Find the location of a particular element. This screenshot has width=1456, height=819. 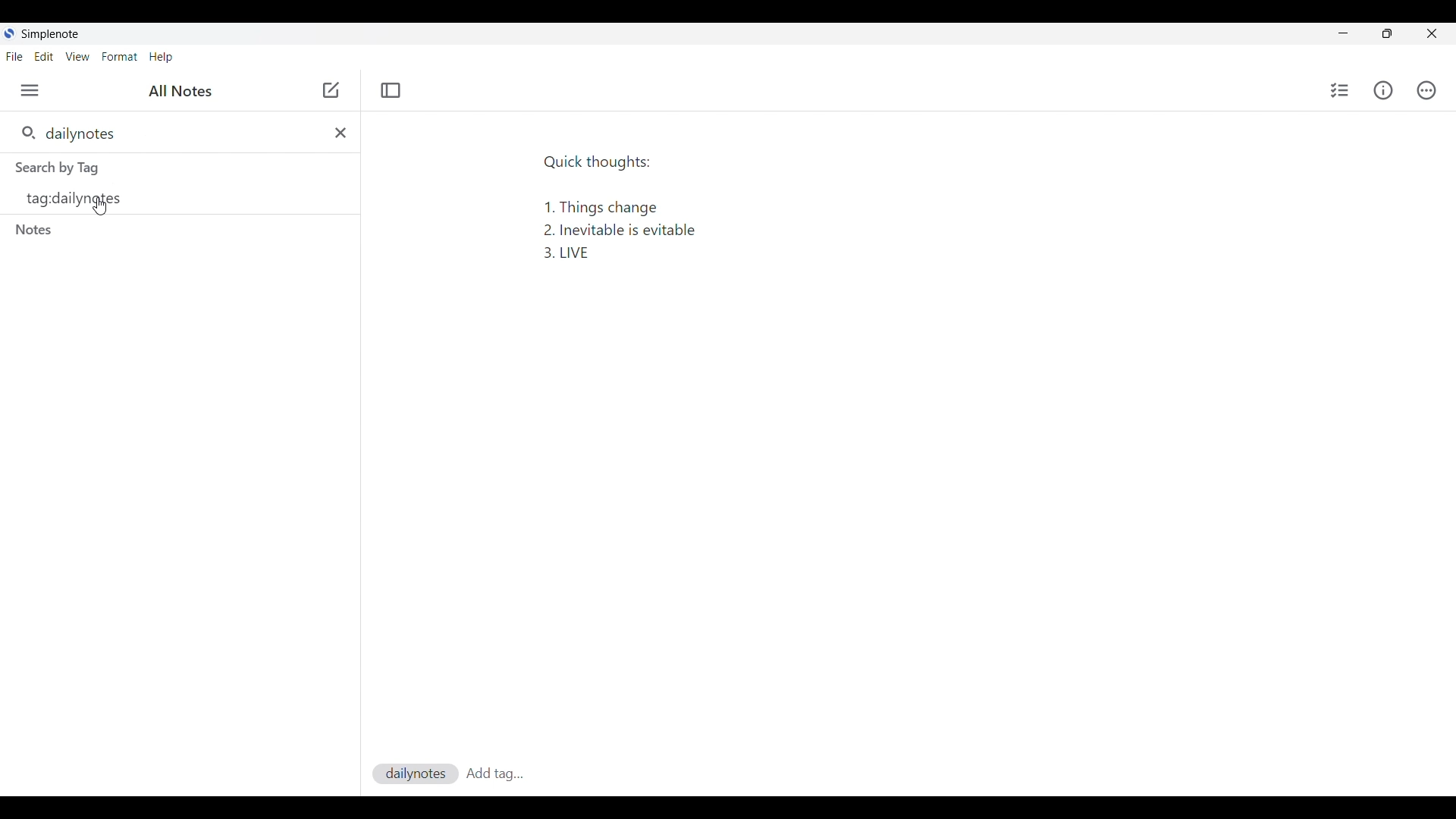

Insert checklist is located at coordinates (1339, 90).